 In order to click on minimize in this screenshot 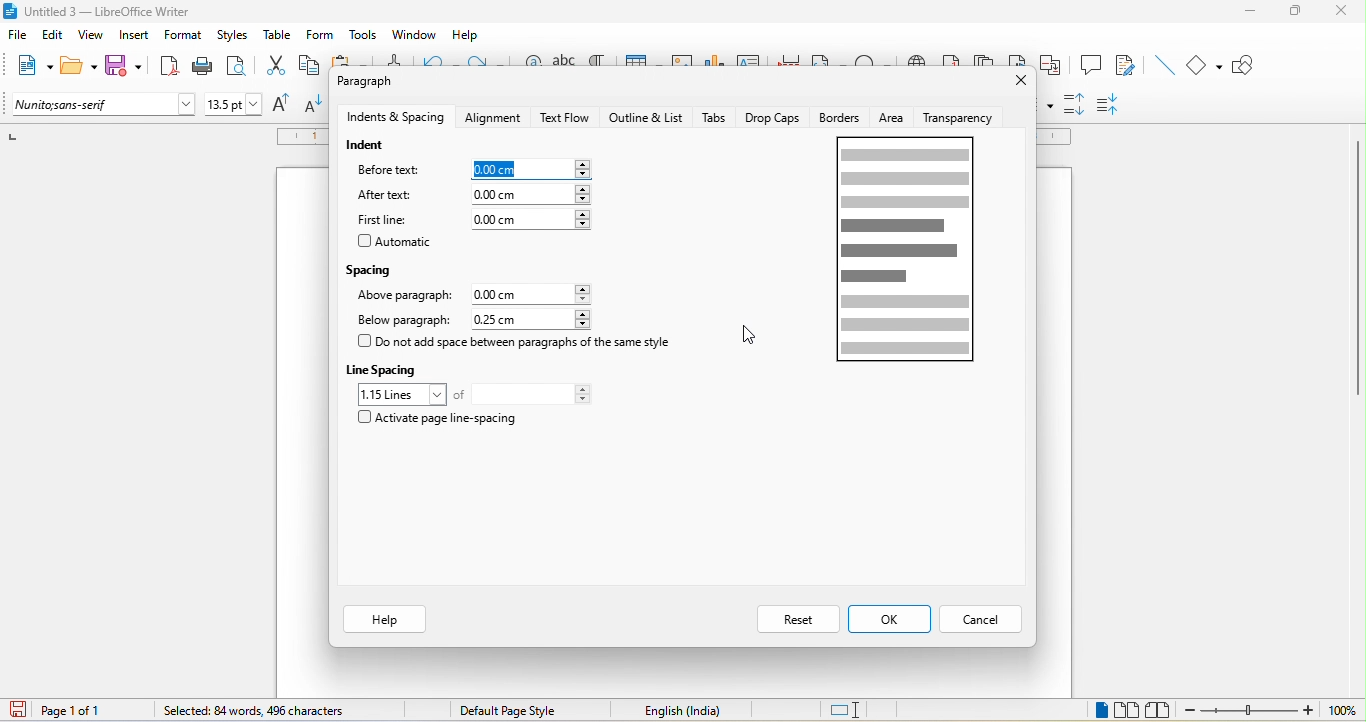, I will do `click(1249, 13)`.